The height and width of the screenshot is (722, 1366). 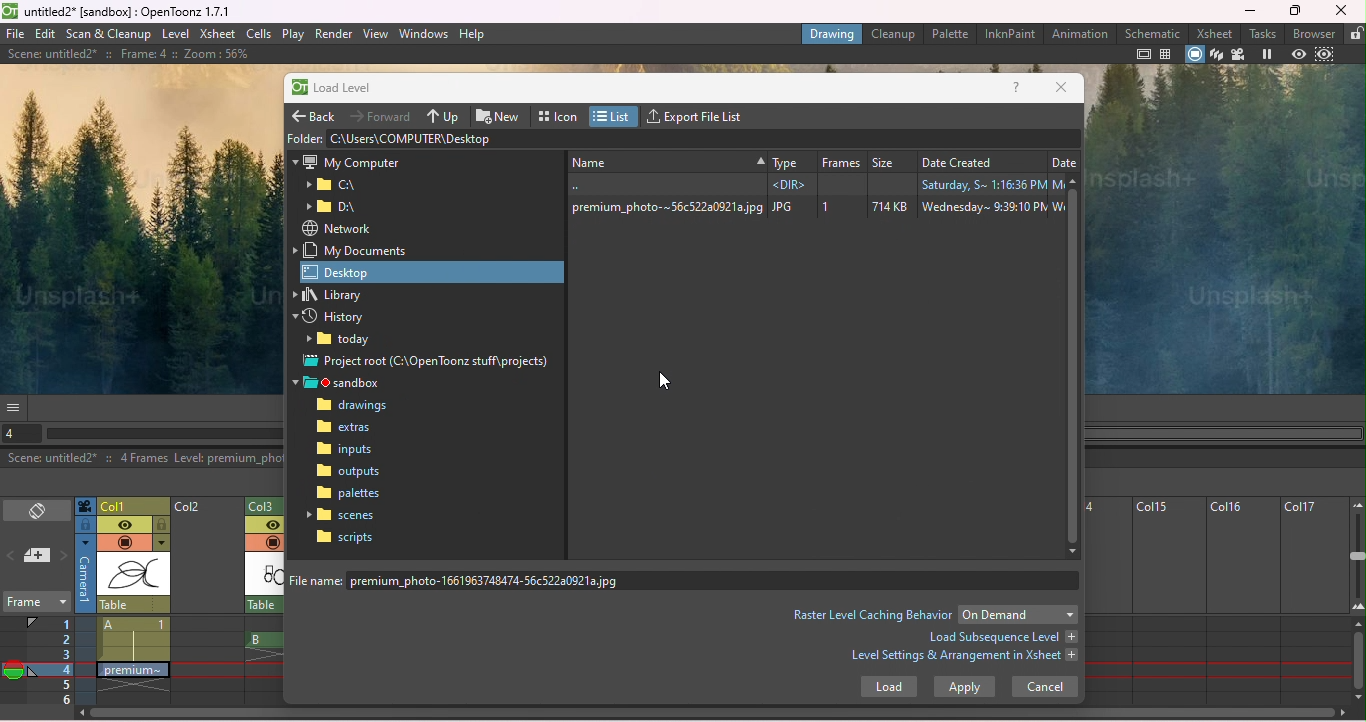 What do you see at coordinates (434, 271) in the screenshot?
I see `Desktop` at bounding box center [434, 271].